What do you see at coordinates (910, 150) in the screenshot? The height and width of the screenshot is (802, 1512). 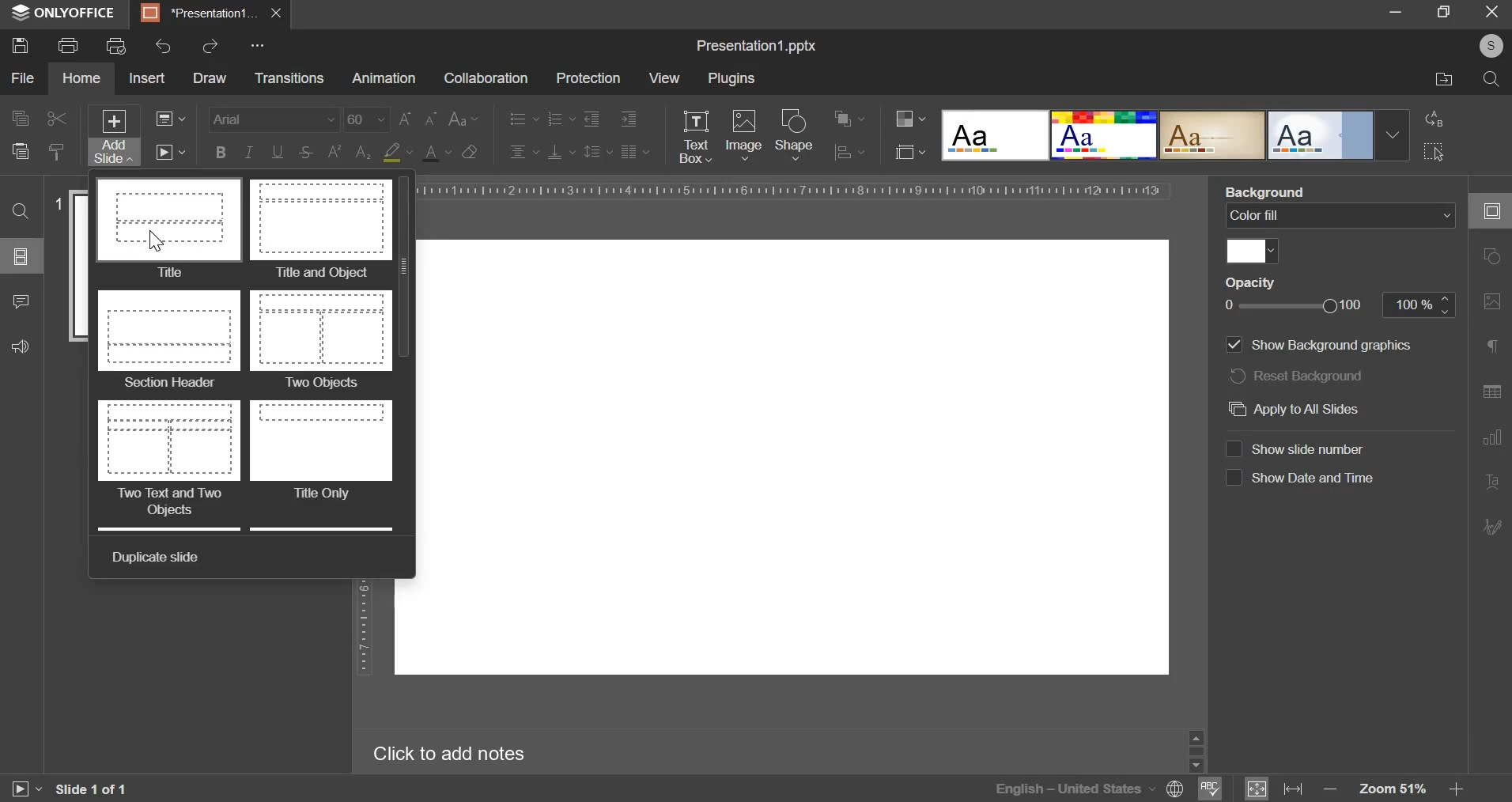 I see `slide size` at bounding box center [910, 150].